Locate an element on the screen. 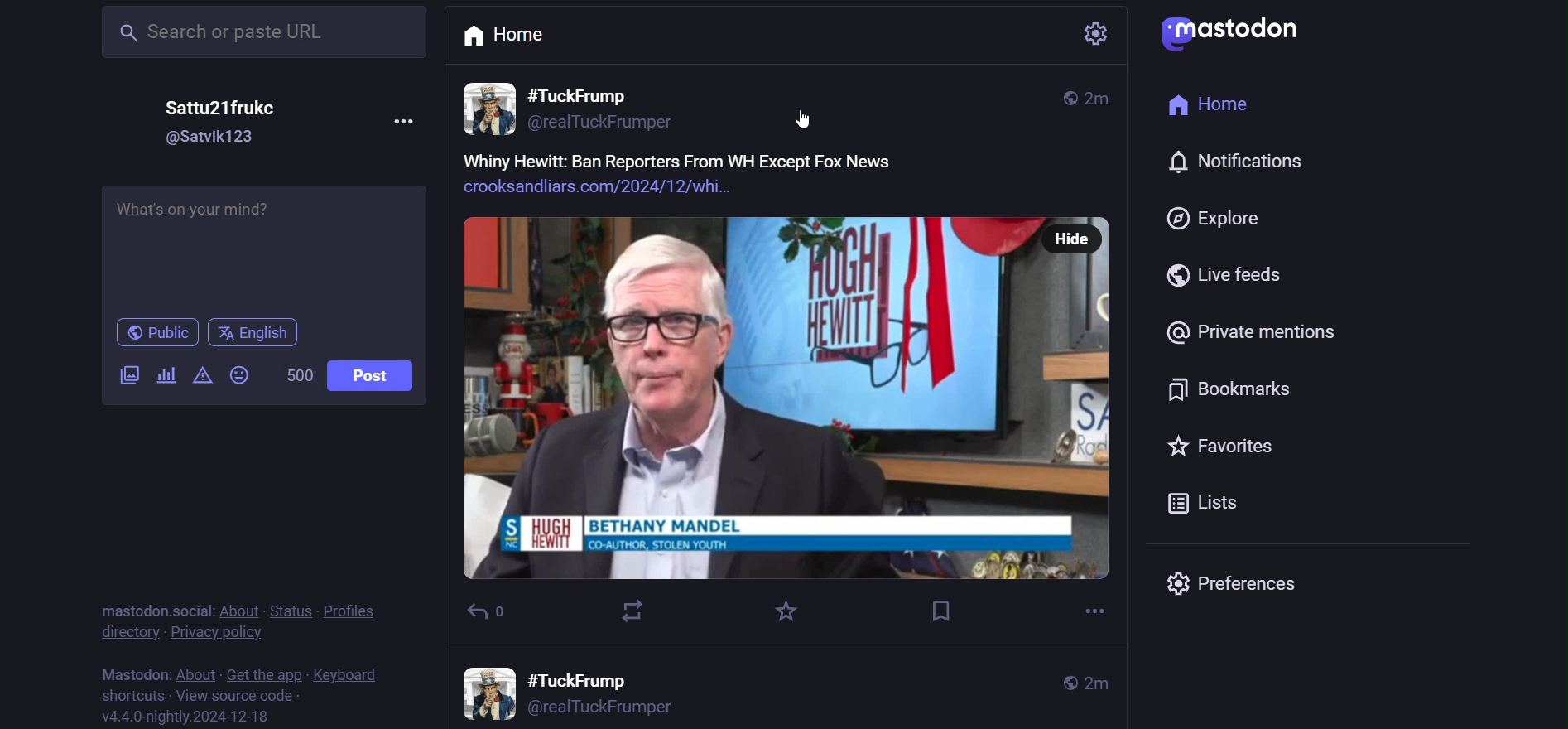  about is located at coordinates (236, 610).